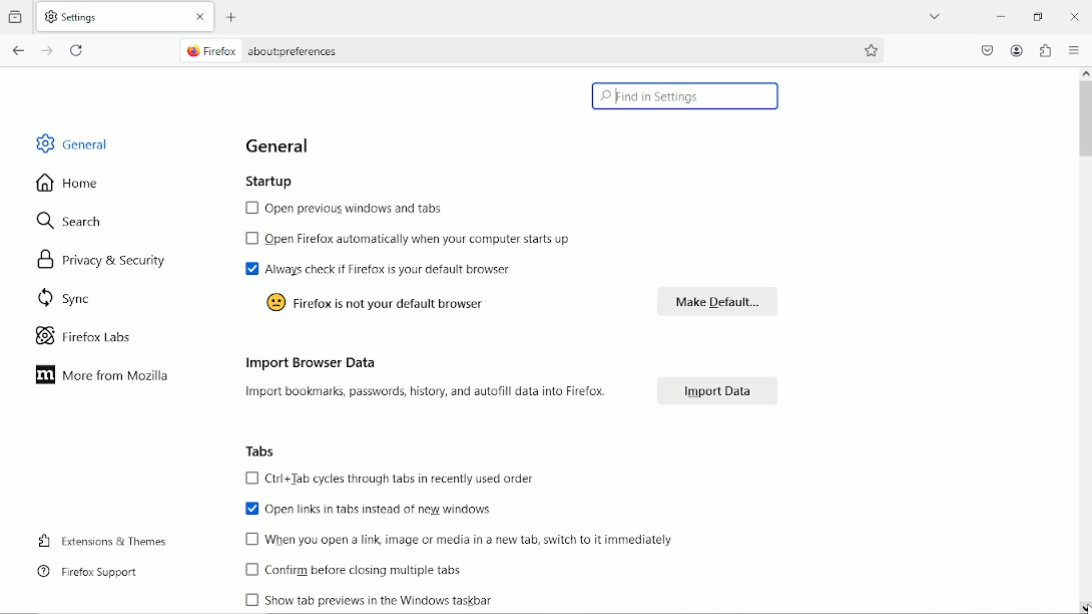 This screenshot has height=614, width=1092. I want to click on account, so click(1016, 50).